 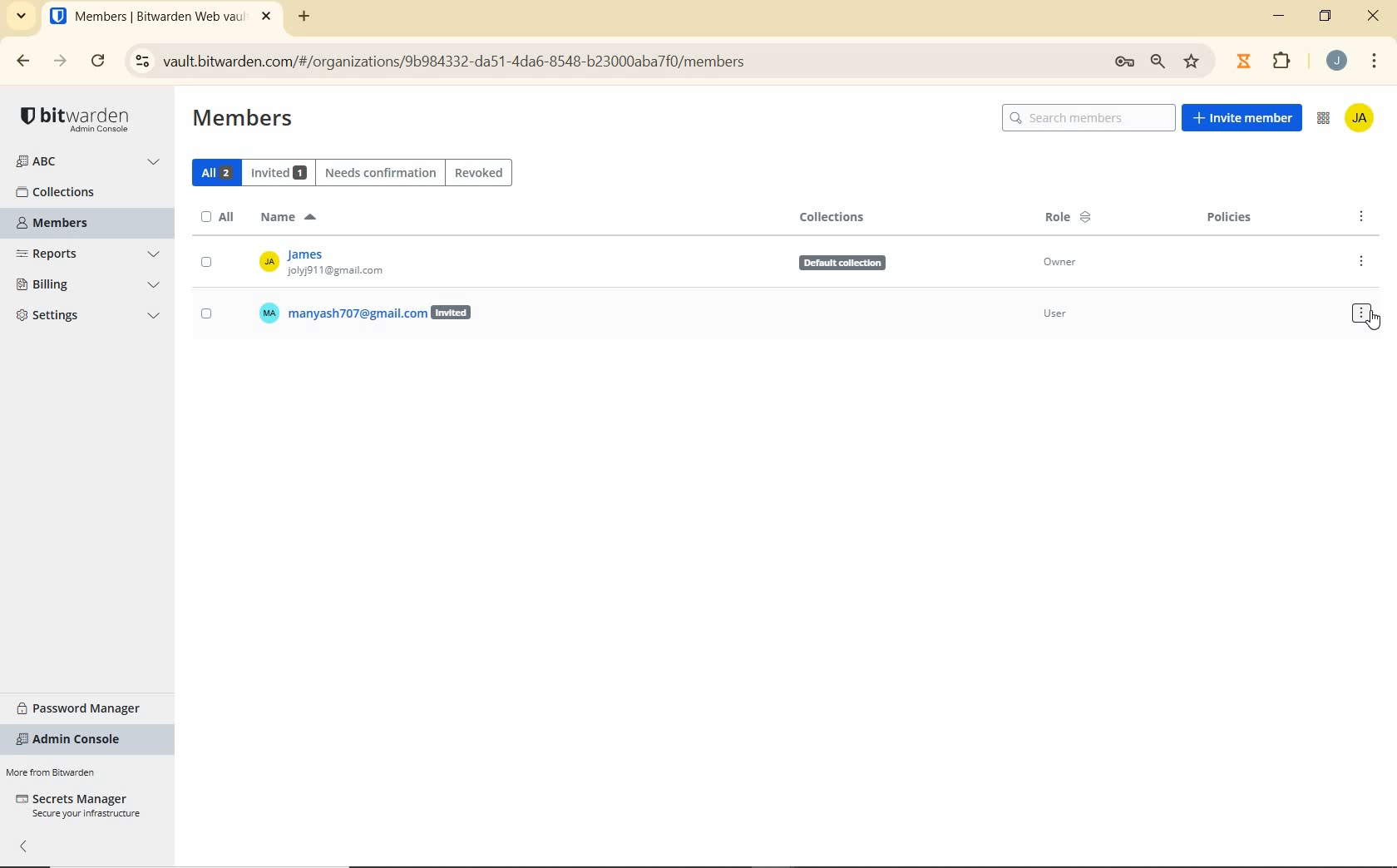 What do you see at coordinates (163, 18) in the screenshot?
I see `BITWARDEN WEB VAULT` at bounding box center [163, 18].